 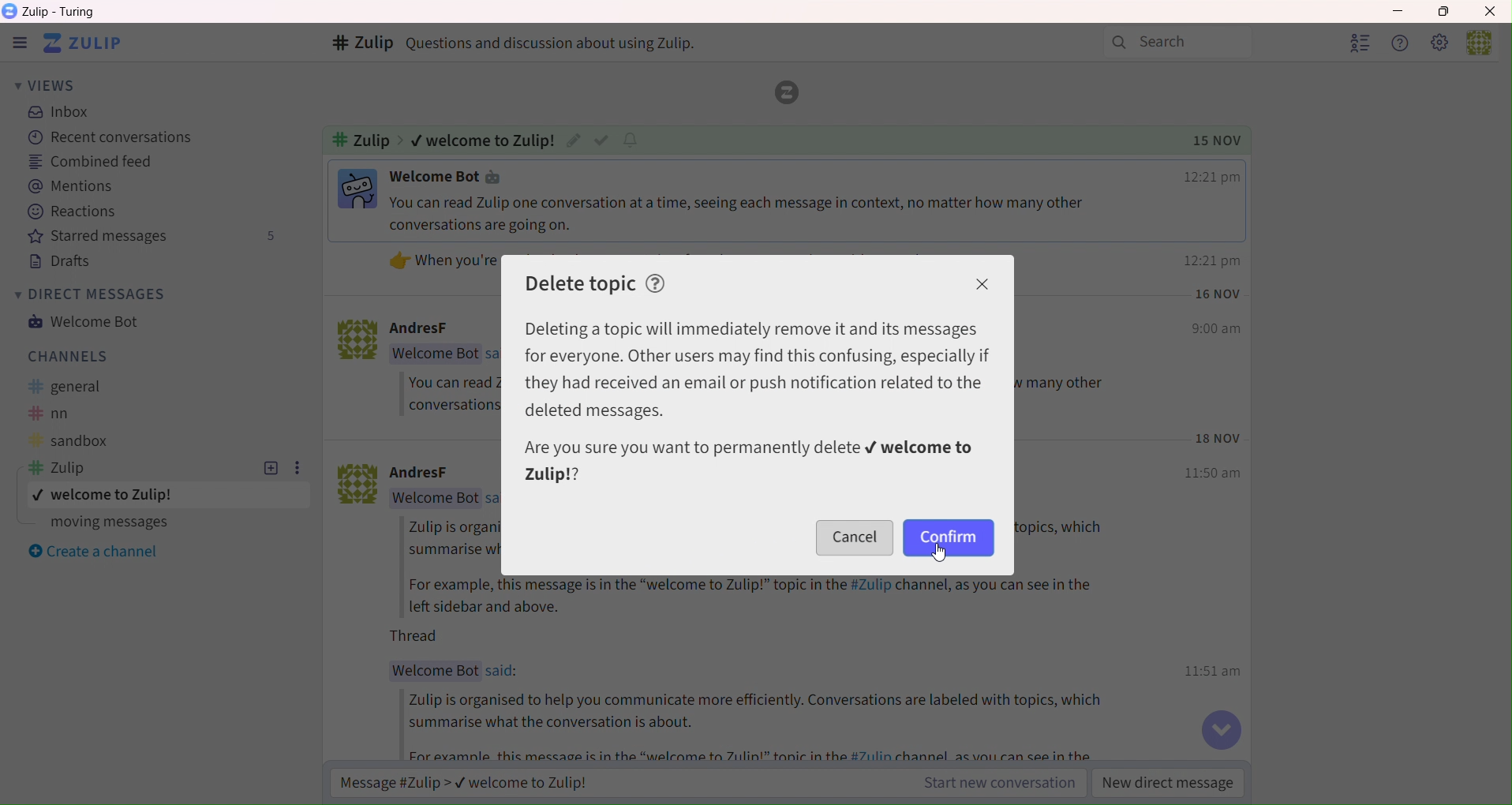 What do you see at coordinates (87, 294) in the screenshot?
I see `Direct Messages` at bounding box center [87, 294].